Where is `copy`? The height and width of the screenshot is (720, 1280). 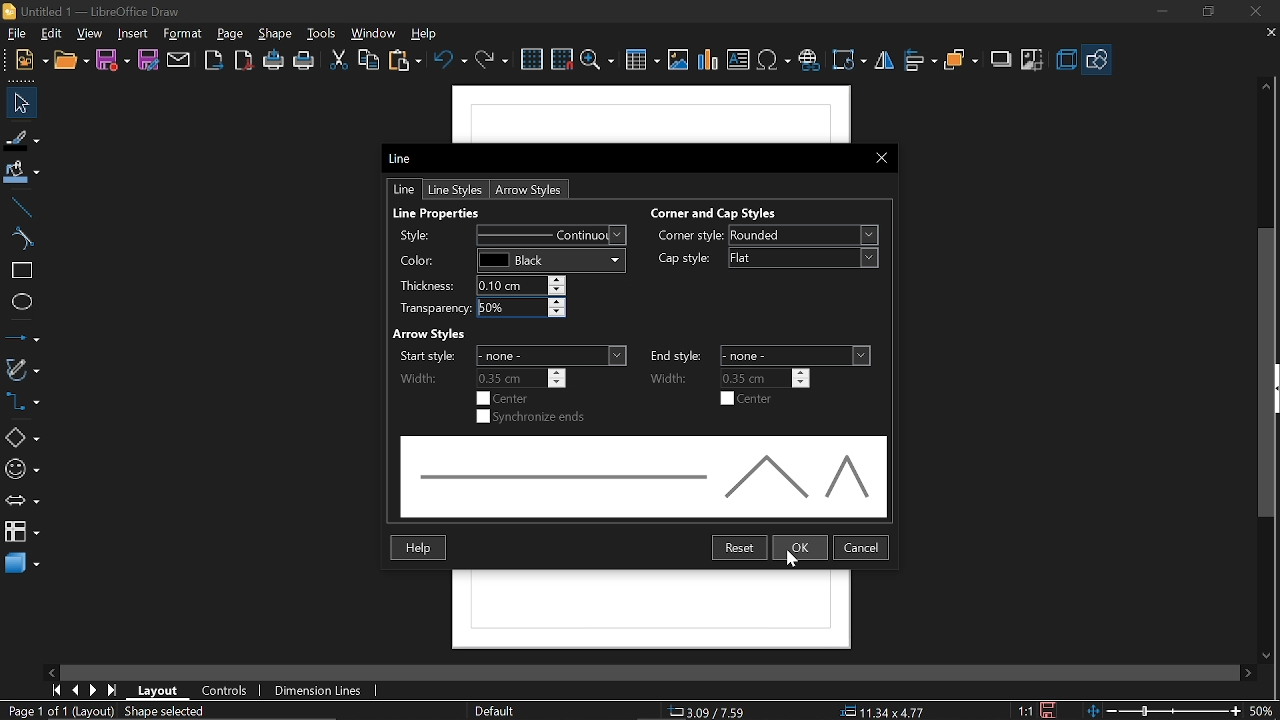 copy is located at coordinates (370, 60).